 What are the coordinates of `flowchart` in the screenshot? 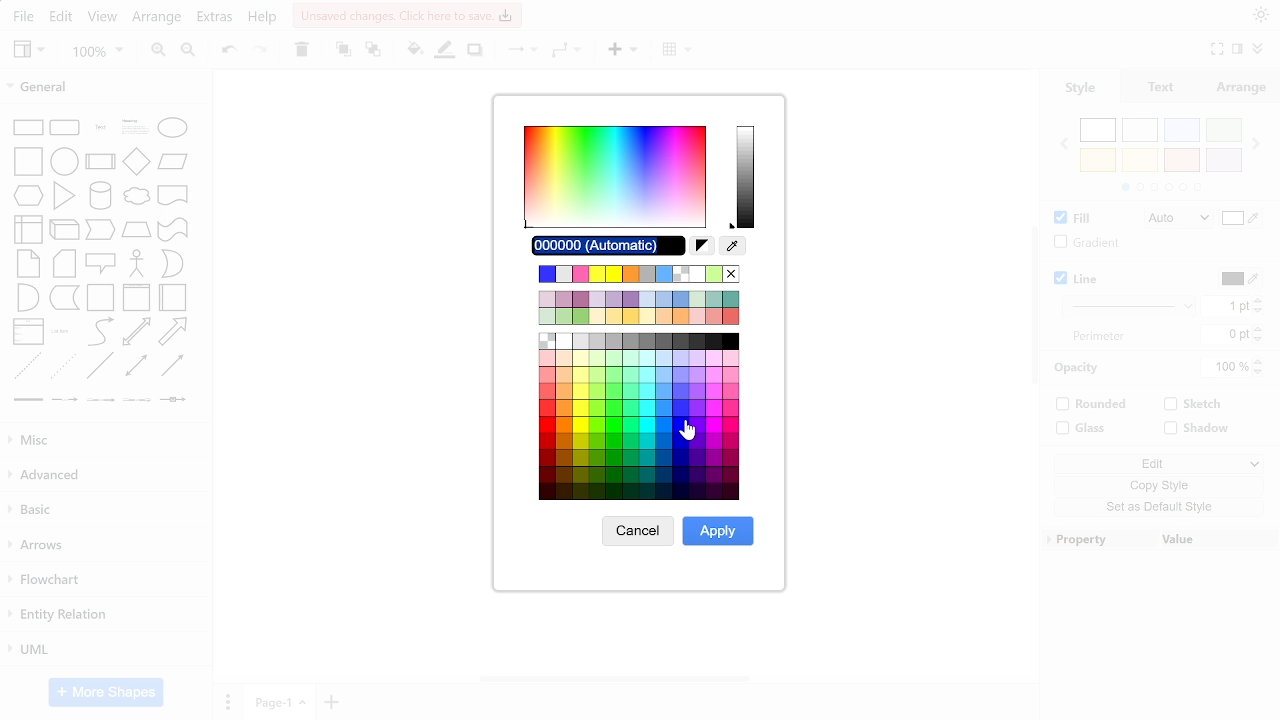 It's located at (102, 579).